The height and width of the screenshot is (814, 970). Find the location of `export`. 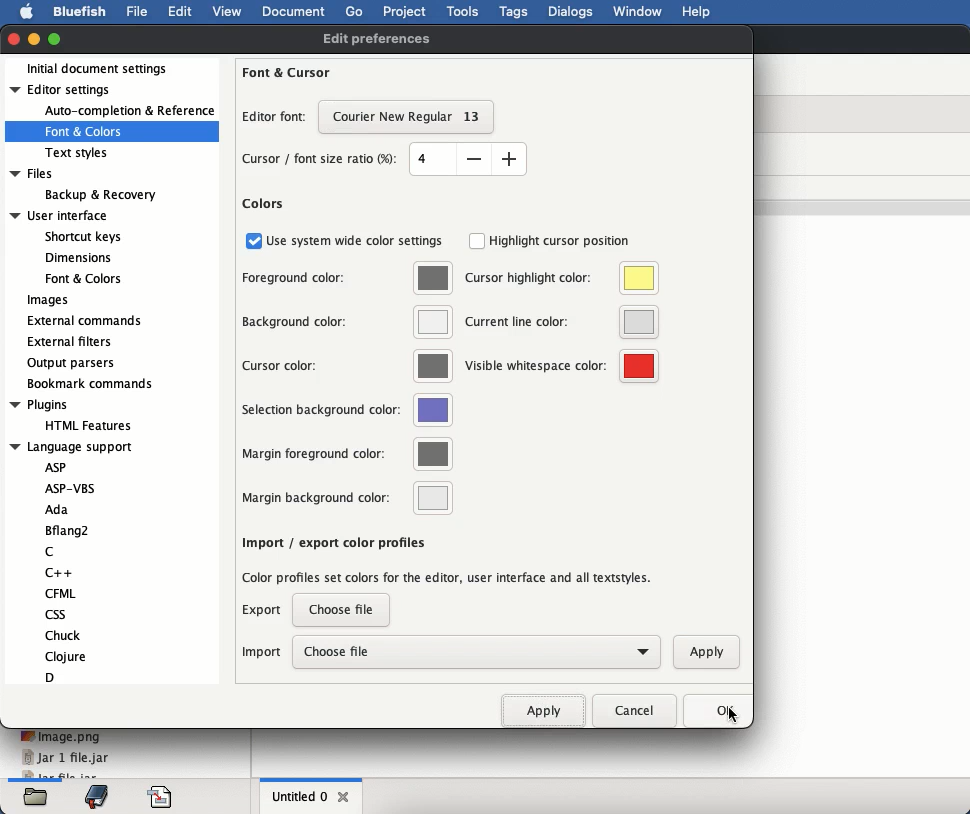

export is located at coordinates (264, 614).